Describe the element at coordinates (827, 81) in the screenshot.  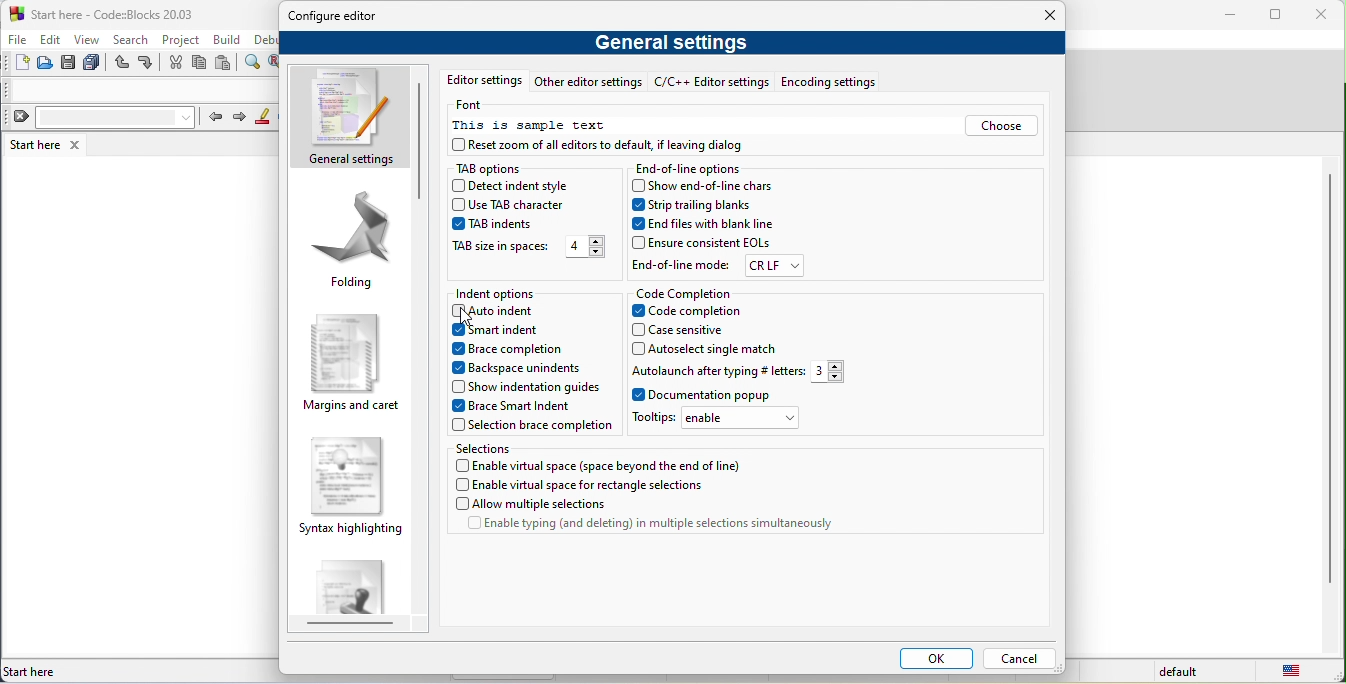
I see `encoding setting` at that location.